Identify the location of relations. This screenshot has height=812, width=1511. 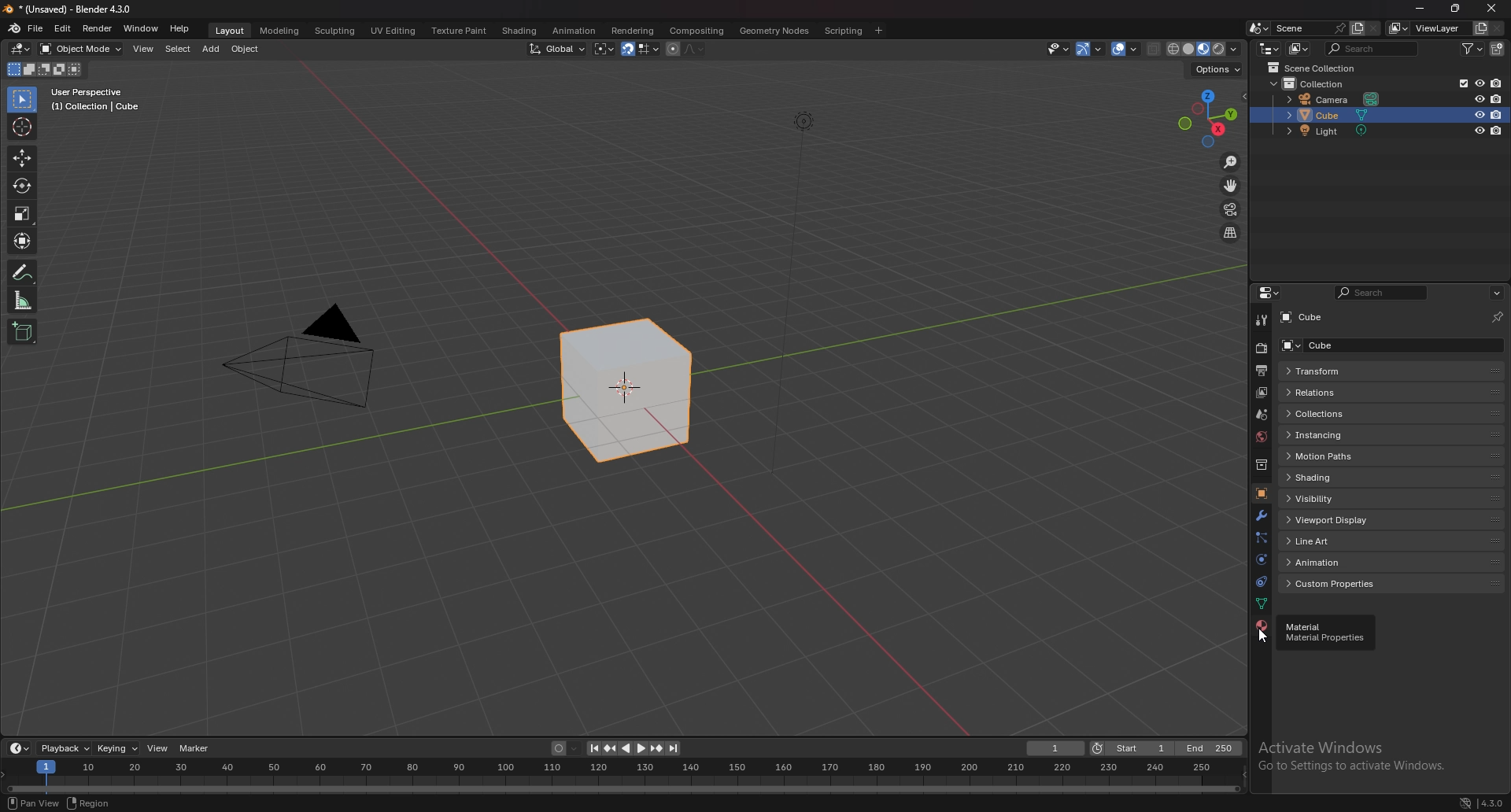
(1391, 393).